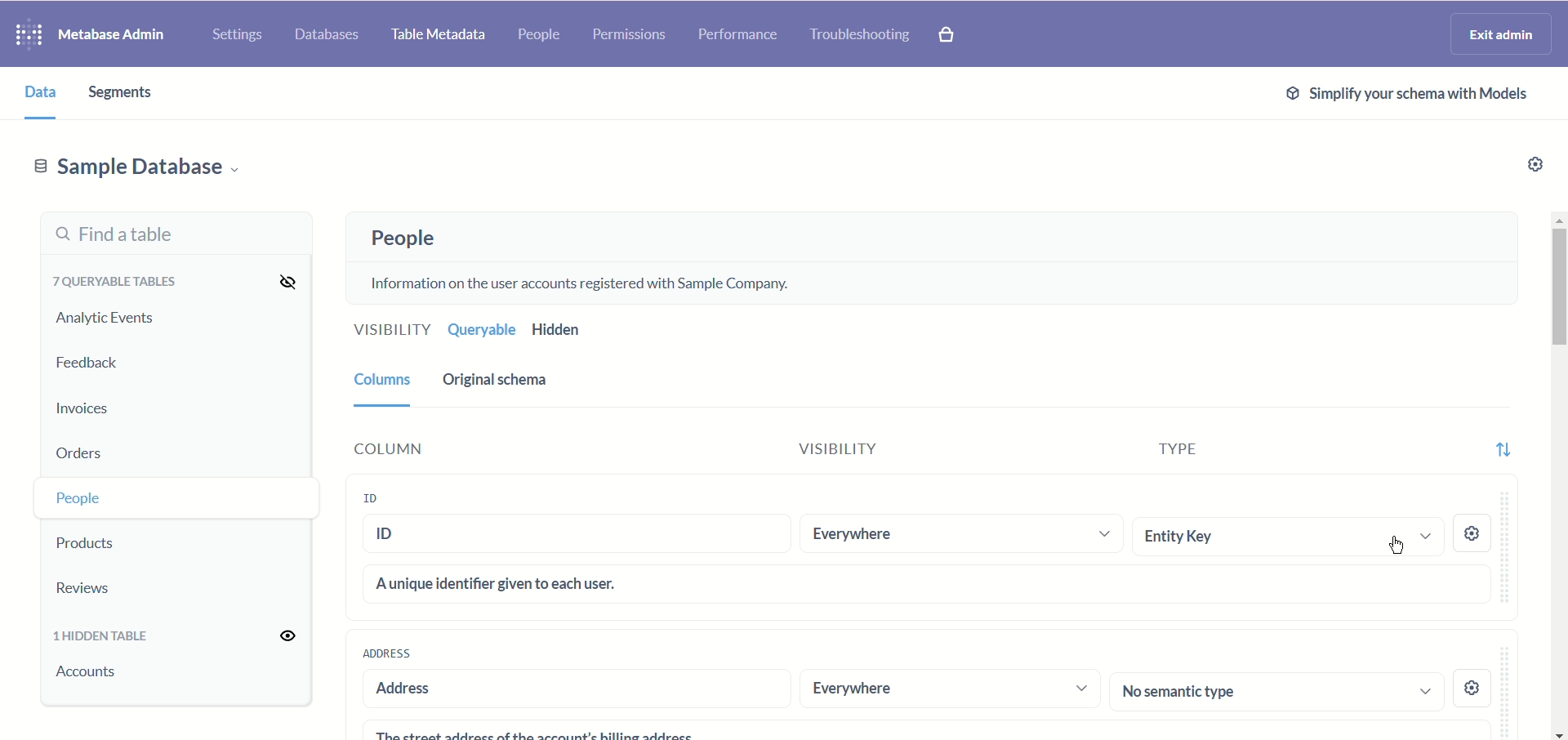  I want to click on Visibility, so click(388, 332).